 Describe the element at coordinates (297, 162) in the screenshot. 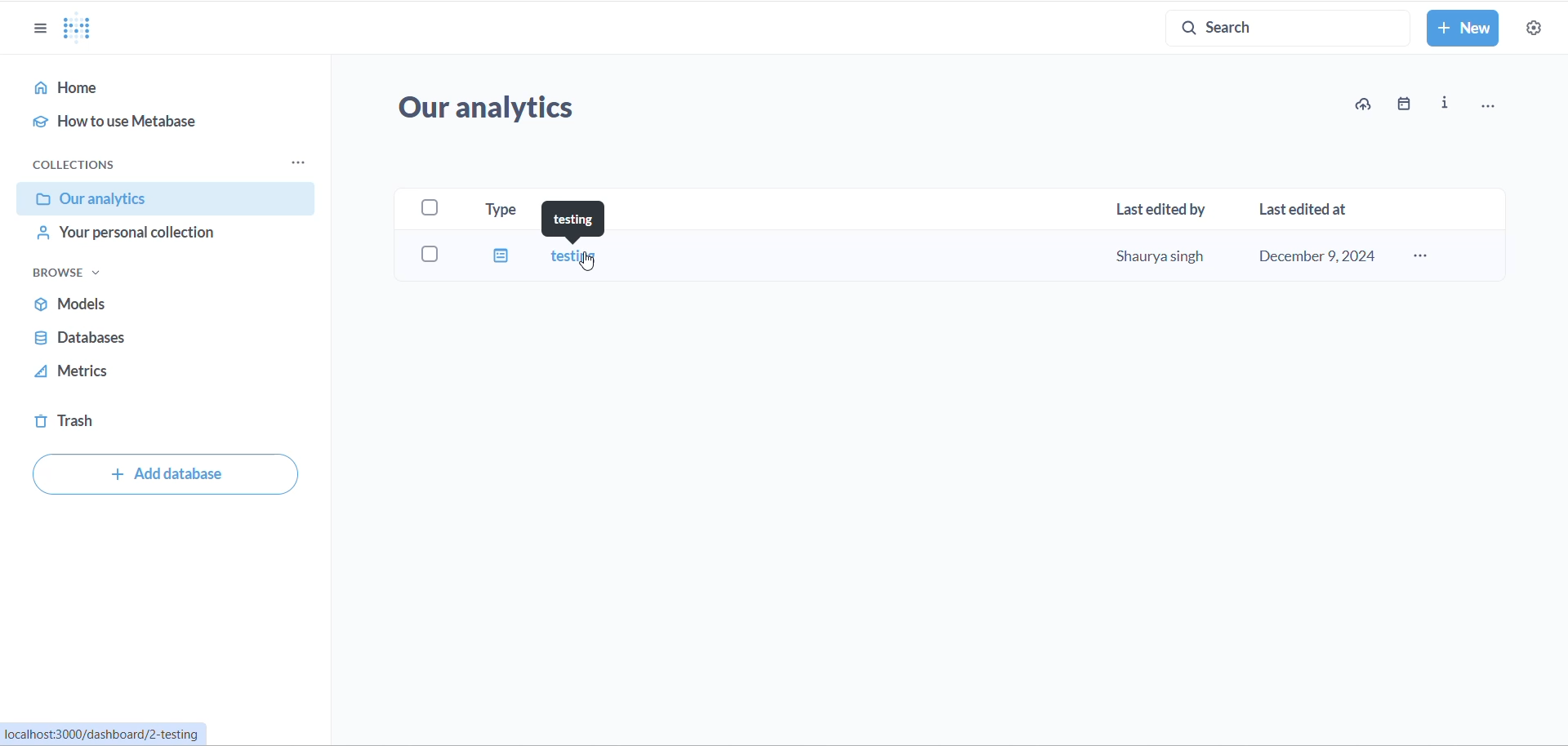

I see `collections menu` at that location.